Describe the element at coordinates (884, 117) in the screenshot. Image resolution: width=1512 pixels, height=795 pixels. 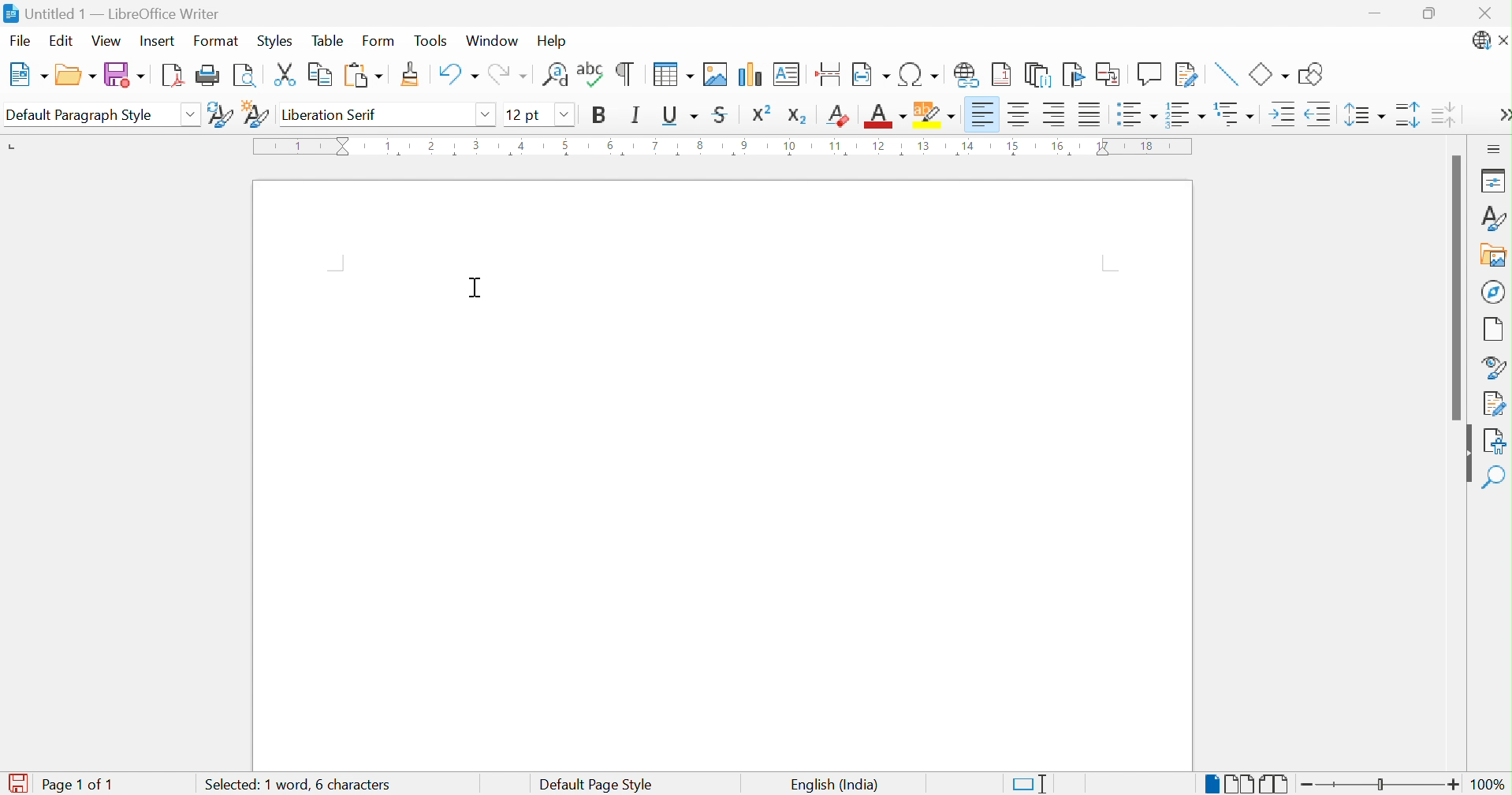
I see `Font Color` at that location.